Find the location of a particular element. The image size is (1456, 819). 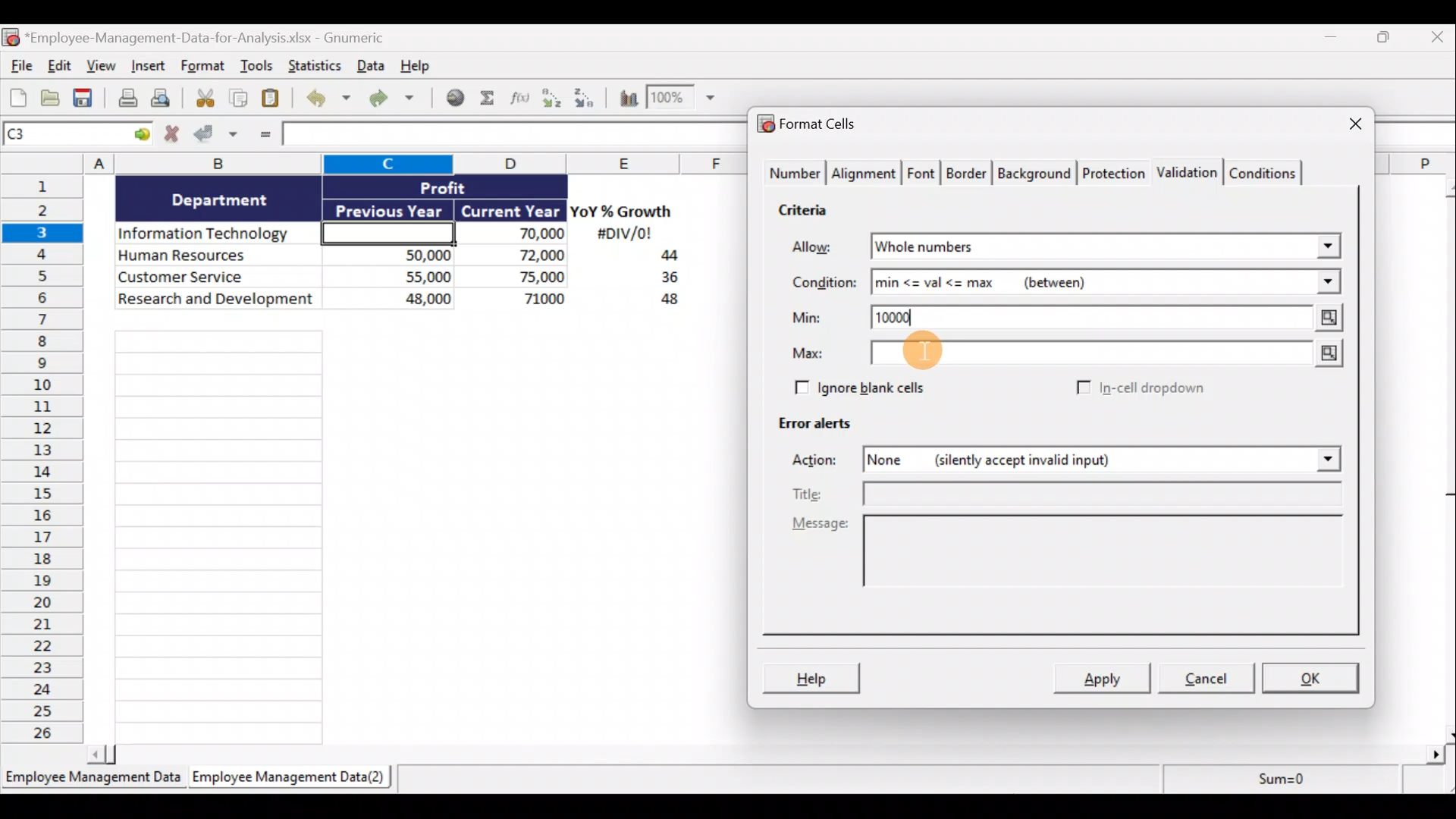

44 is located at coordinates (661, 257).